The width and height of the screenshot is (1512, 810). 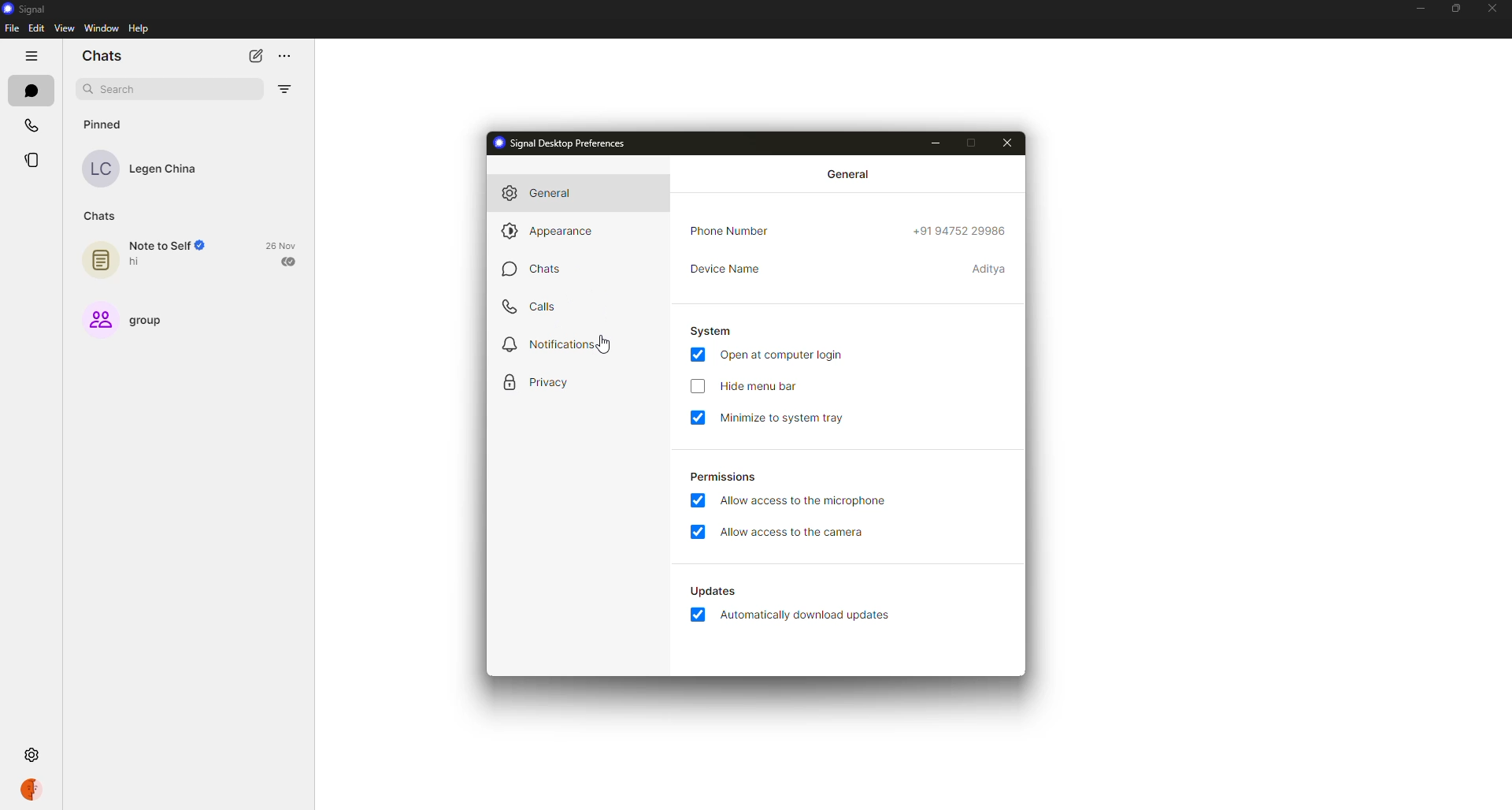 I want to click on phone number, so click(x=957, y=229).